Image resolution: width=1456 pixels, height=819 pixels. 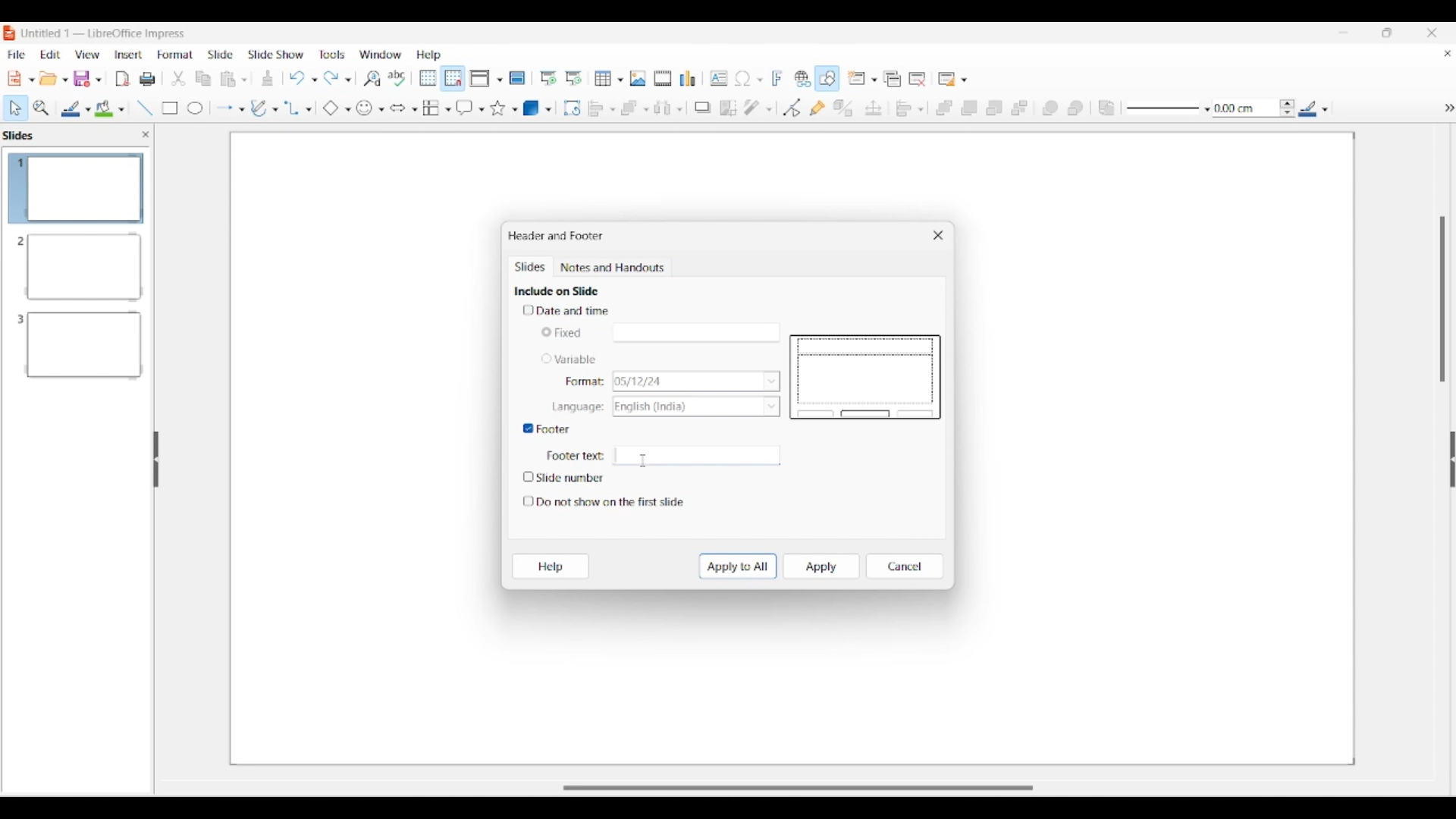 I want to click on Apply to current slide, so click(x=822, y=566).